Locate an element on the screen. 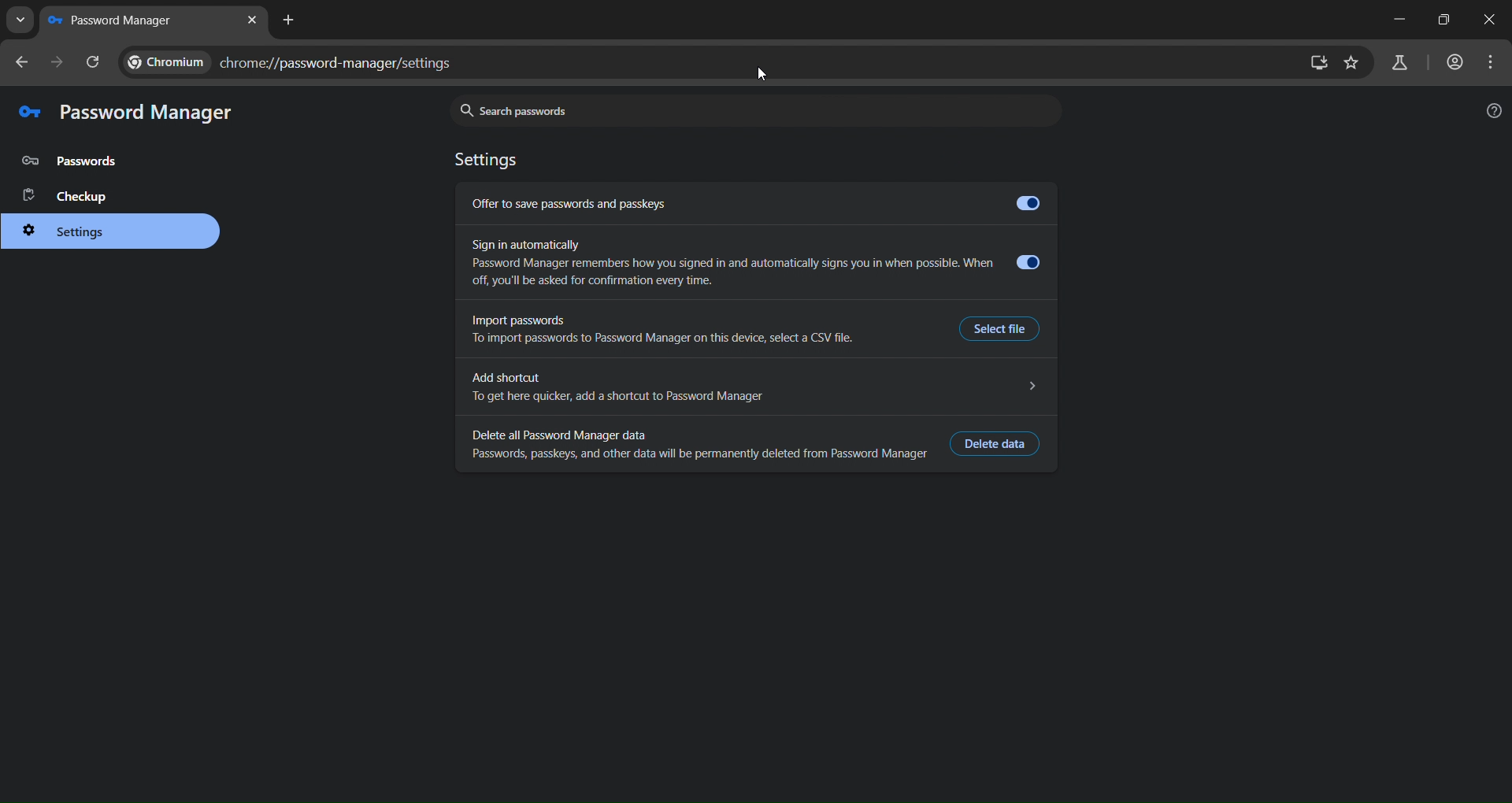  Offer to save passwords and passkeys is located at coordinates (567, 203).